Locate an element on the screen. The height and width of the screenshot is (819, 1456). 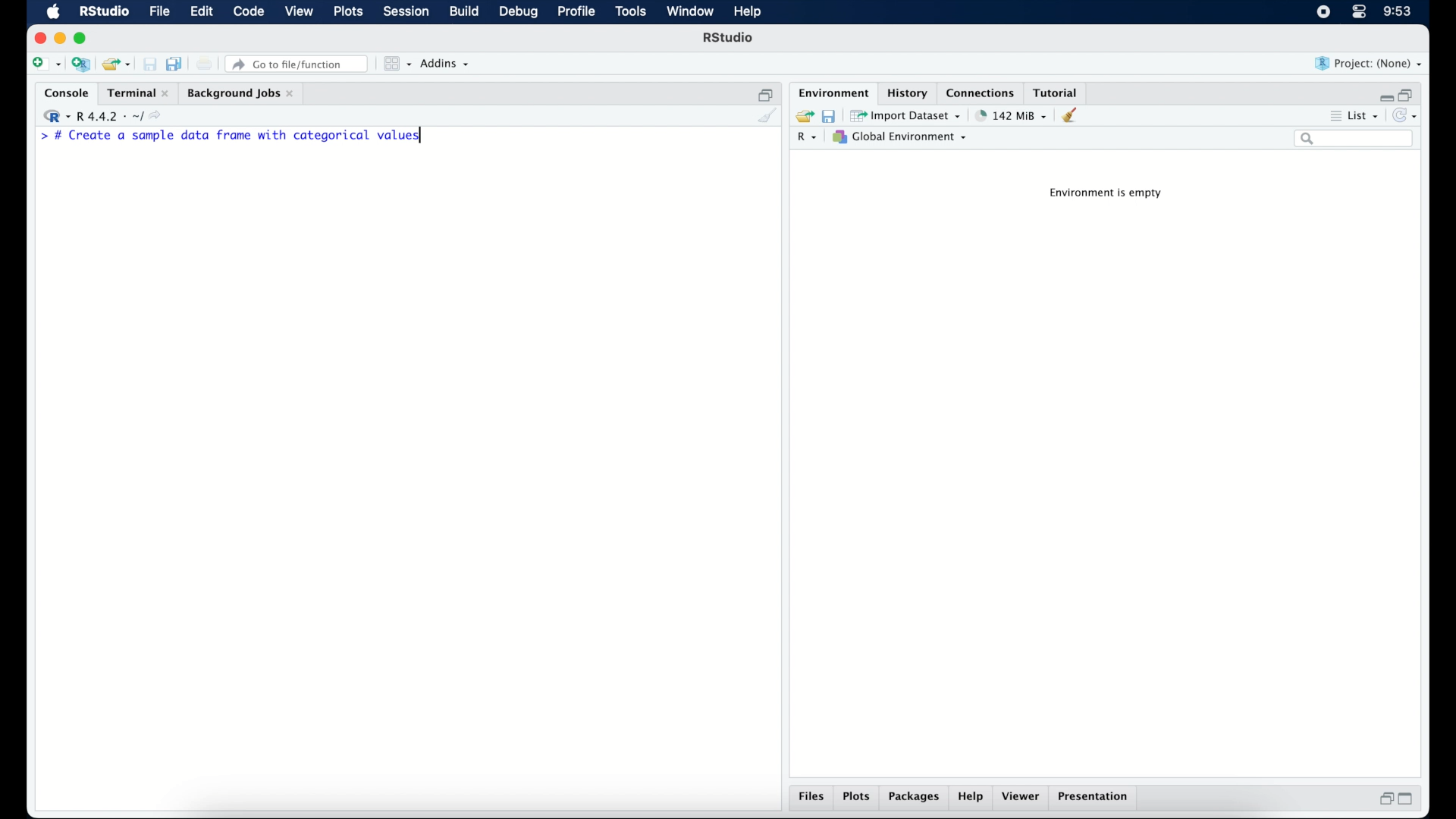
close is located at coordinates (37, 37).